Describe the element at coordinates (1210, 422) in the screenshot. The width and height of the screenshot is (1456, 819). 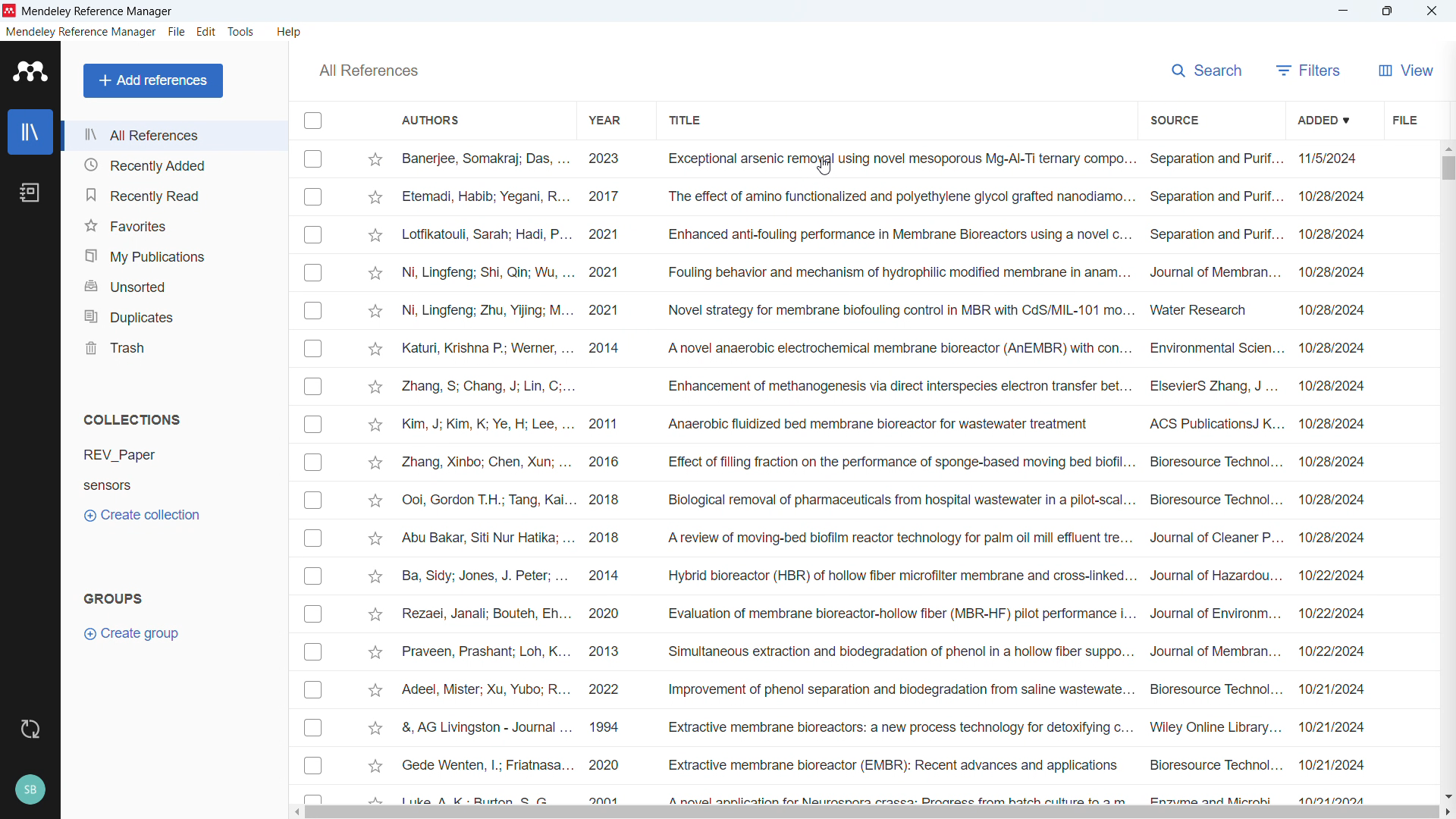
I see `acs publicationsj k` at that location.